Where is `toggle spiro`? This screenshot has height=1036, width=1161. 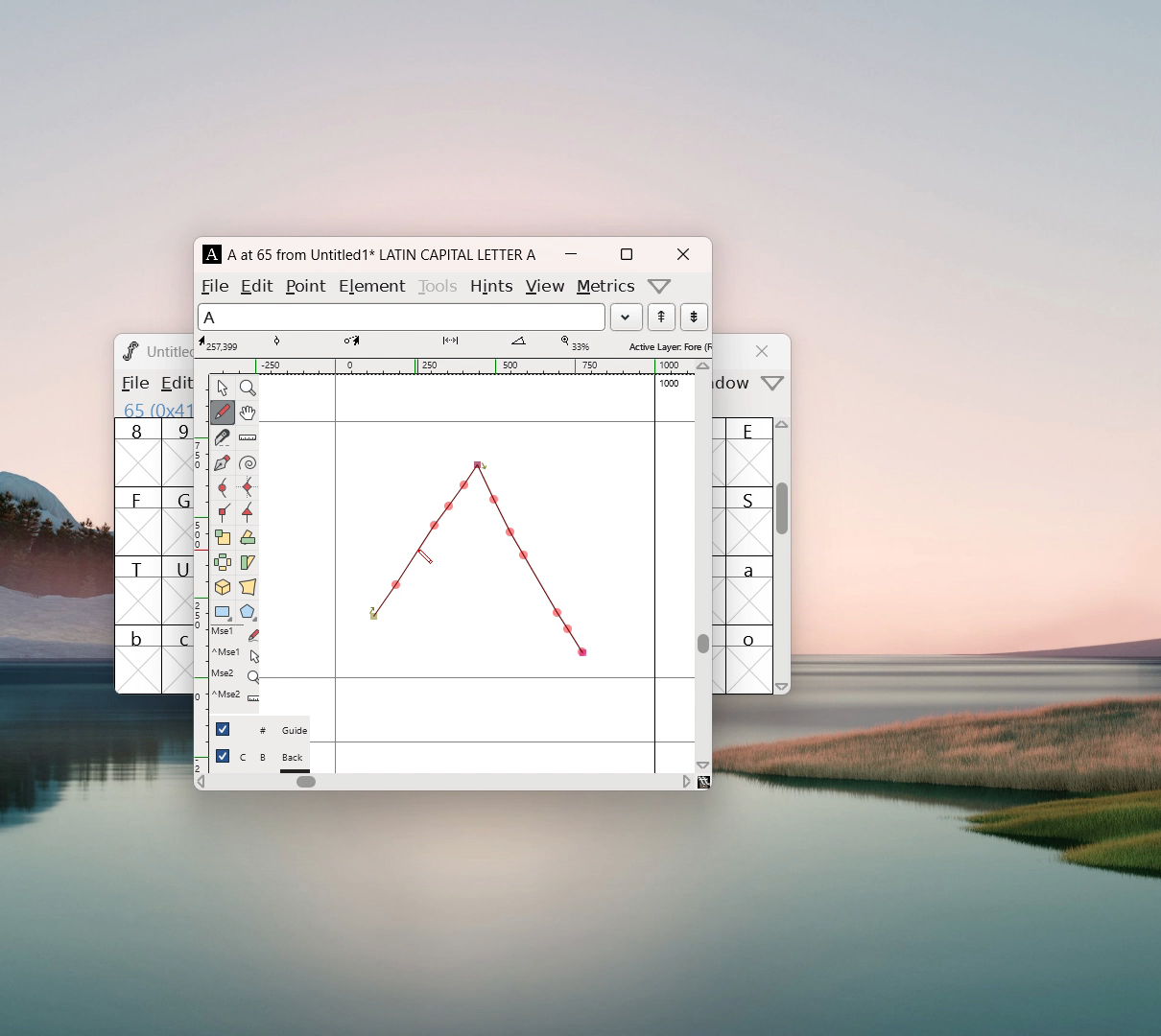
toggle spiro is located at coordinates (248, 463).